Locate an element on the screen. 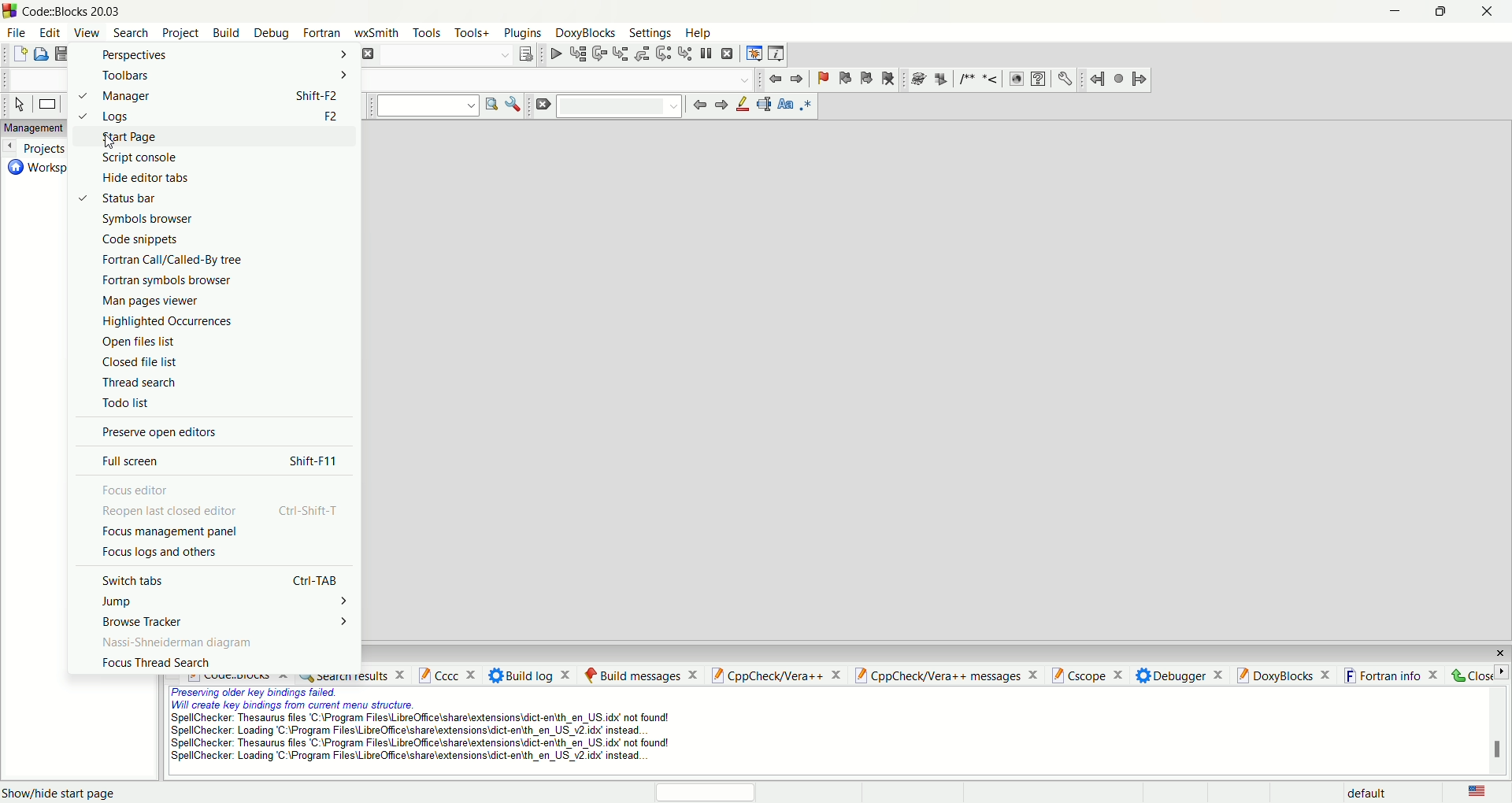 This screenshot has height=803, width=1512. jump back is located at coordinates (1095, 80).